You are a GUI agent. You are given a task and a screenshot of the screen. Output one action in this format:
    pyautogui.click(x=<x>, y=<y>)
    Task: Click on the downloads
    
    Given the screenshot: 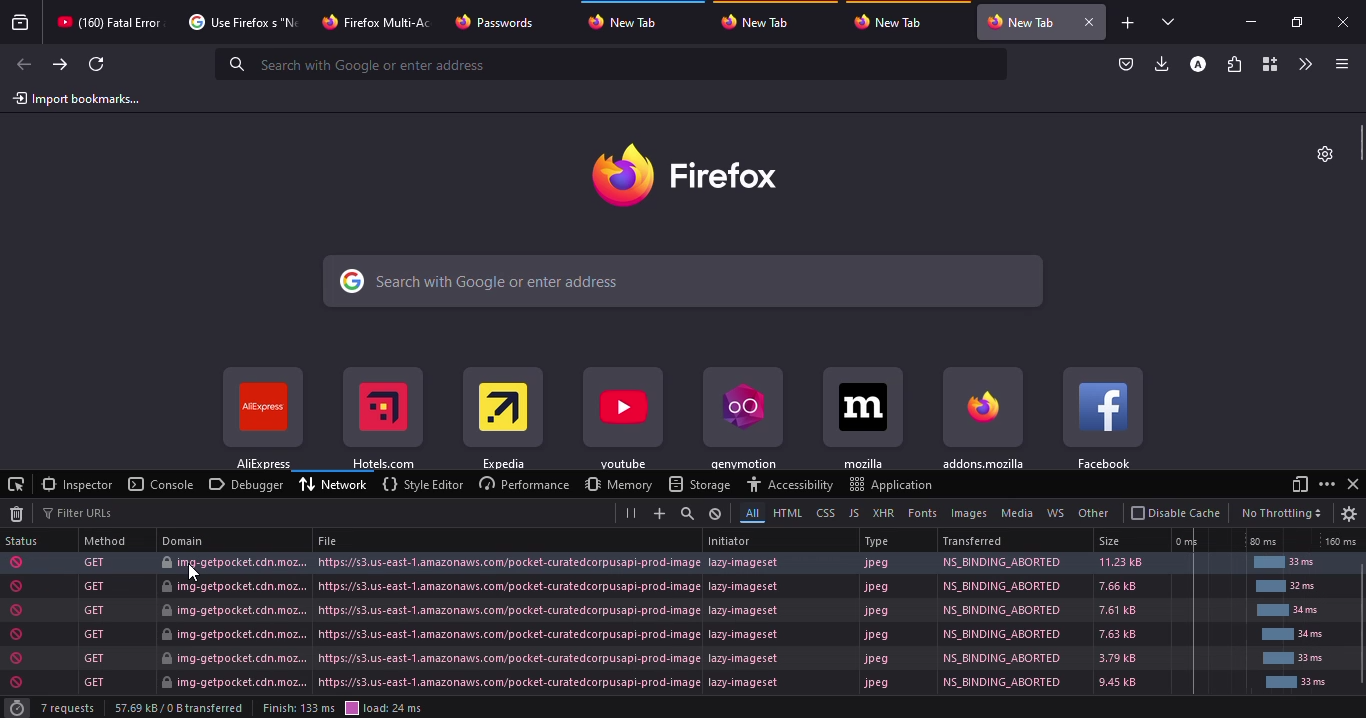 What is the action you would take?
    pyautogui.click(x=1162, y=64)
    